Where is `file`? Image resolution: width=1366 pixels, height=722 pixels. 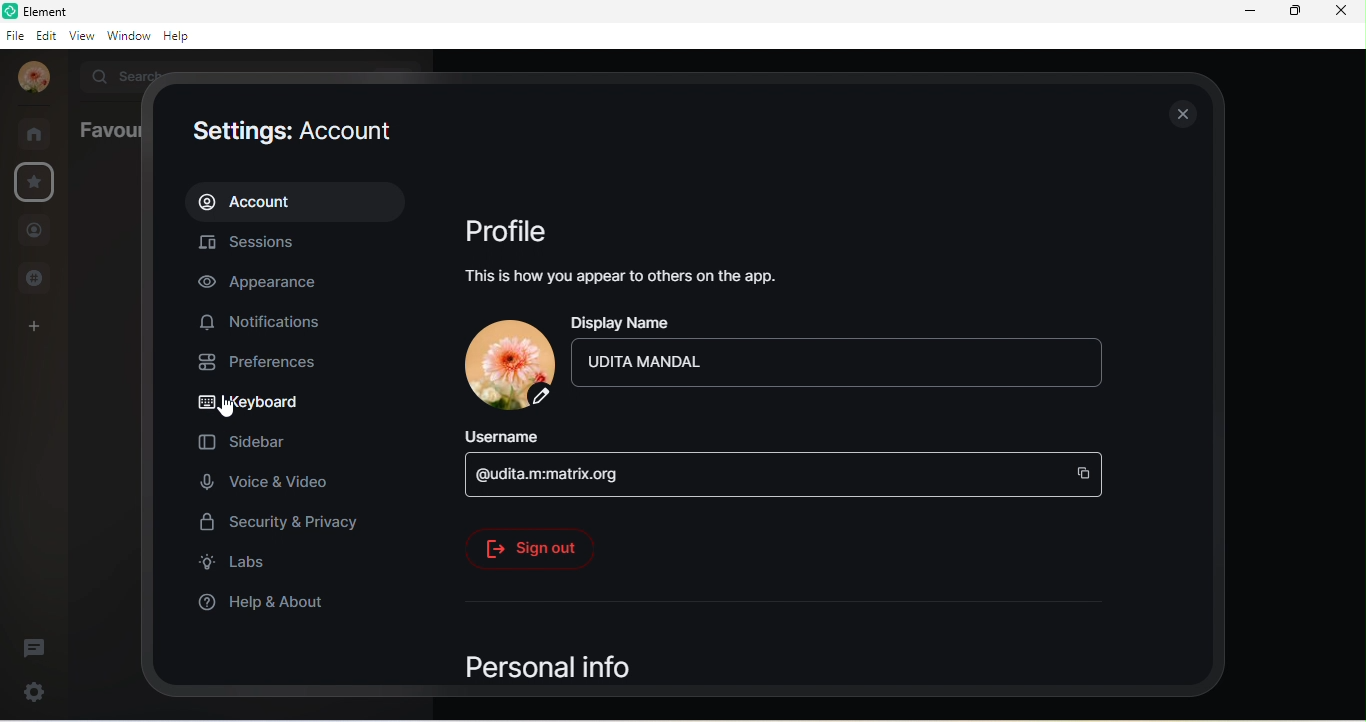
file is located at coordinates (16, 38).